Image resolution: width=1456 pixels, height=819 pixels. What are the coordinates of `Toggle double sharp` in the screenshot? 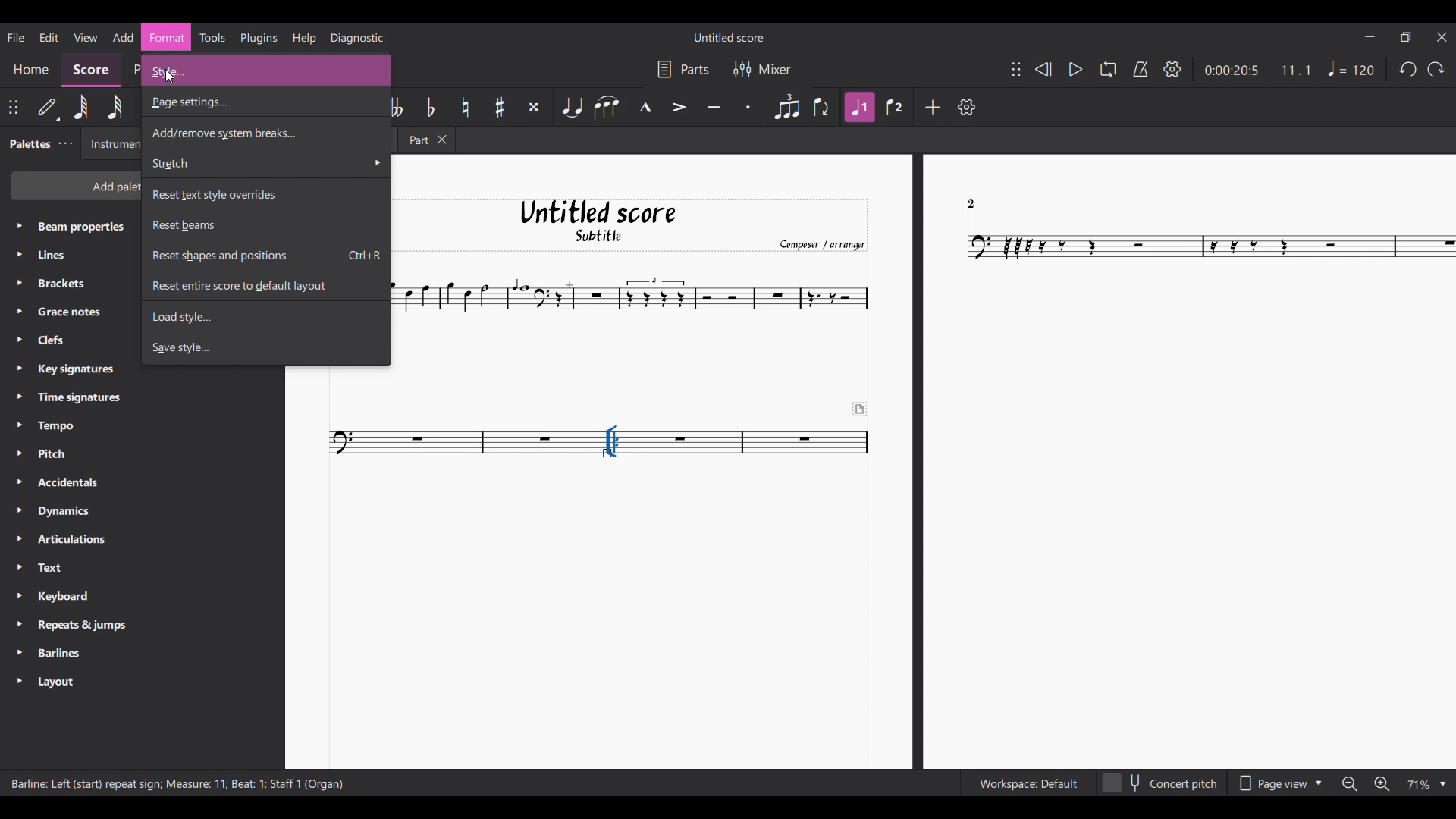 It's located at (533, 108).